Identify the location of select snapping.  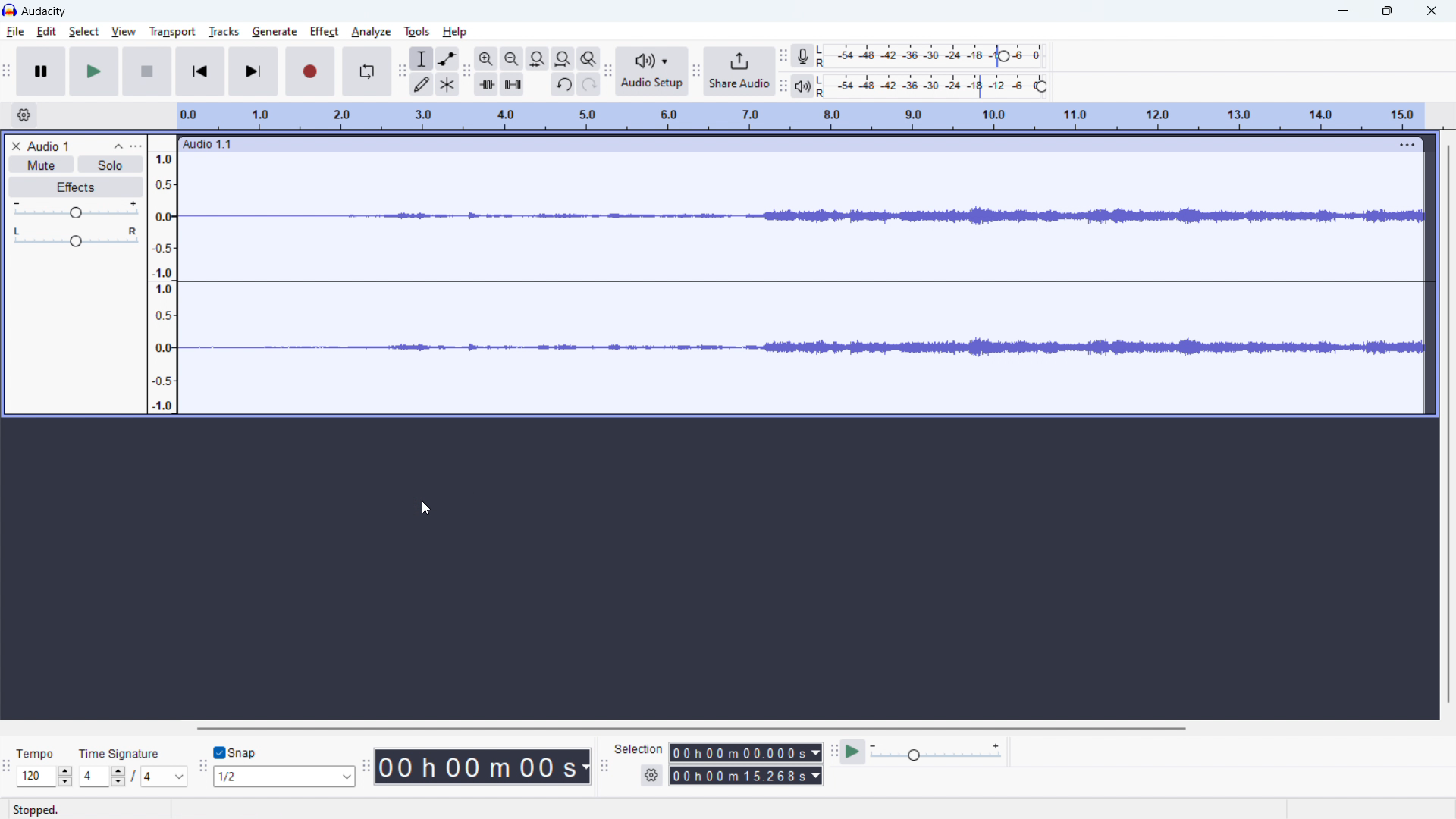
(285, 777).